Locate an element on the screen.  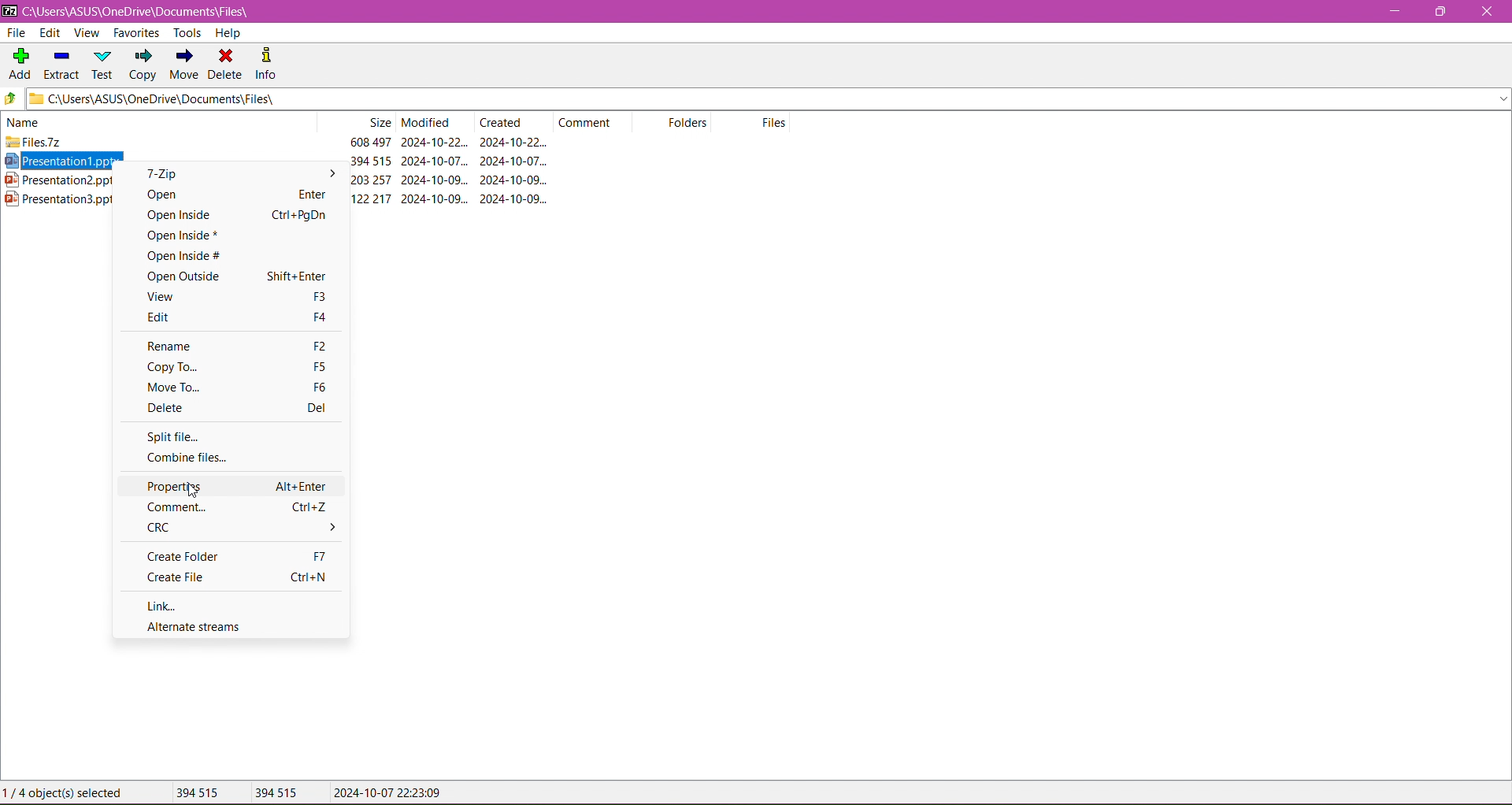
Current Folder Path - C:\Users\ASUS\OneDrive\Documents\Files\ is located at coordinates (463, 99).